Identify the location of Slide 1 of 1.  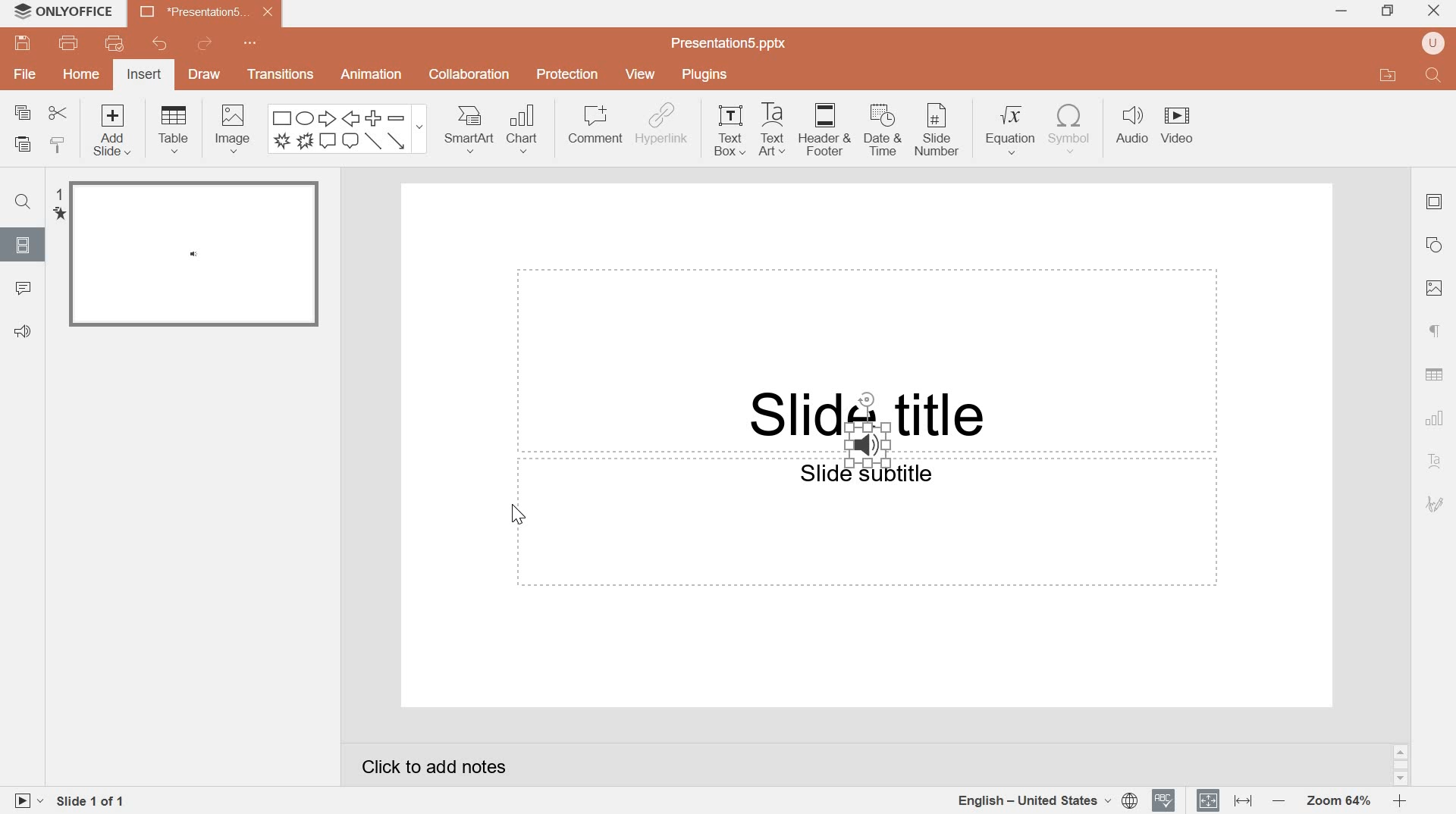
(93, 803).